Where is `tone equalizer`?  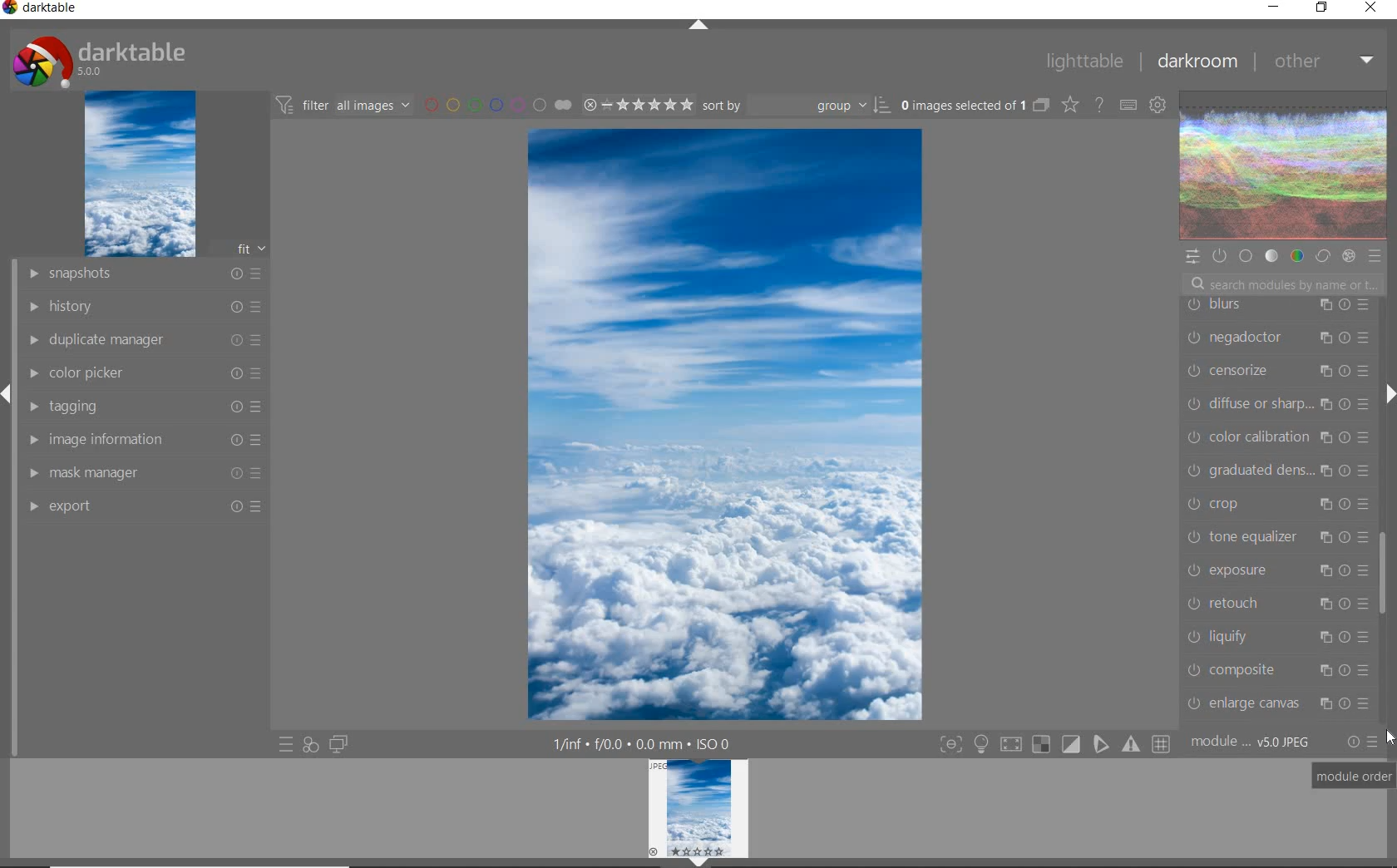 tone equalizer is located at coordinates (1276, 535).